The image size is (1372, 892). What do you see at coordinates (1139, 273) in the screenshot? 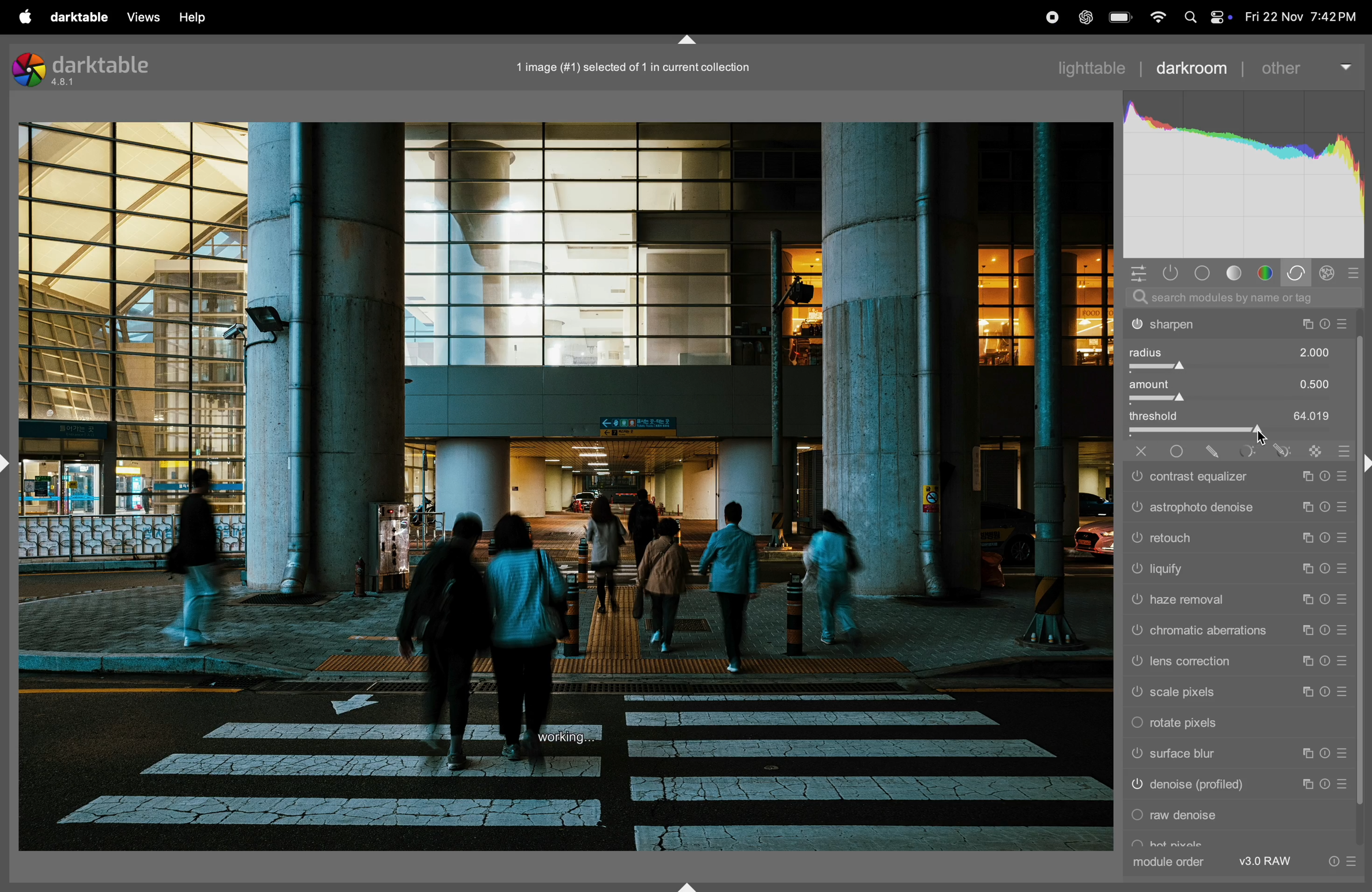
I see `quick acess panel` at bounding box center [1139, 273].